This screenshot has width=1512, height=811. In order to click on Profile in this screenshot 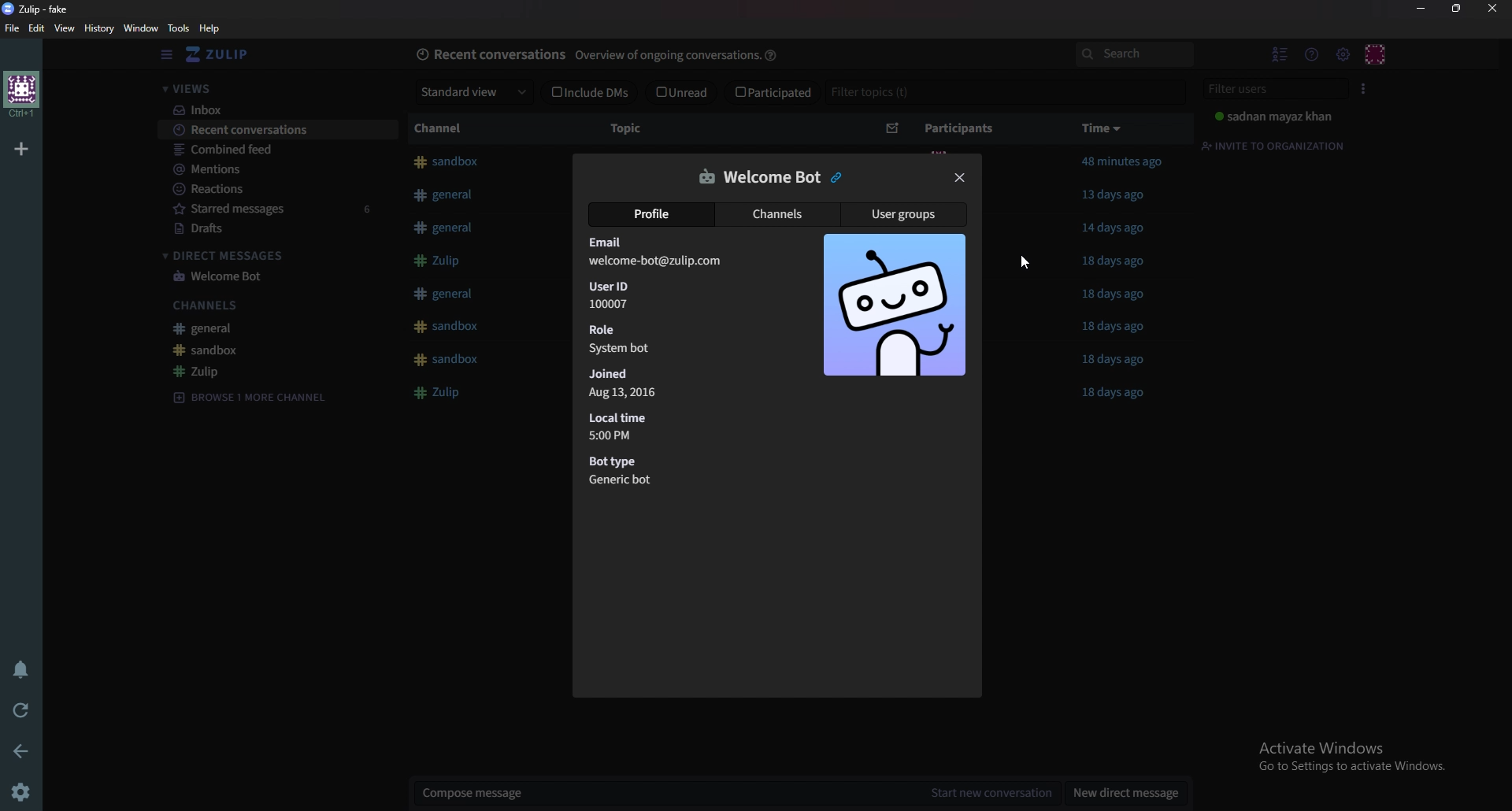, I will do `click(650, 215)`.